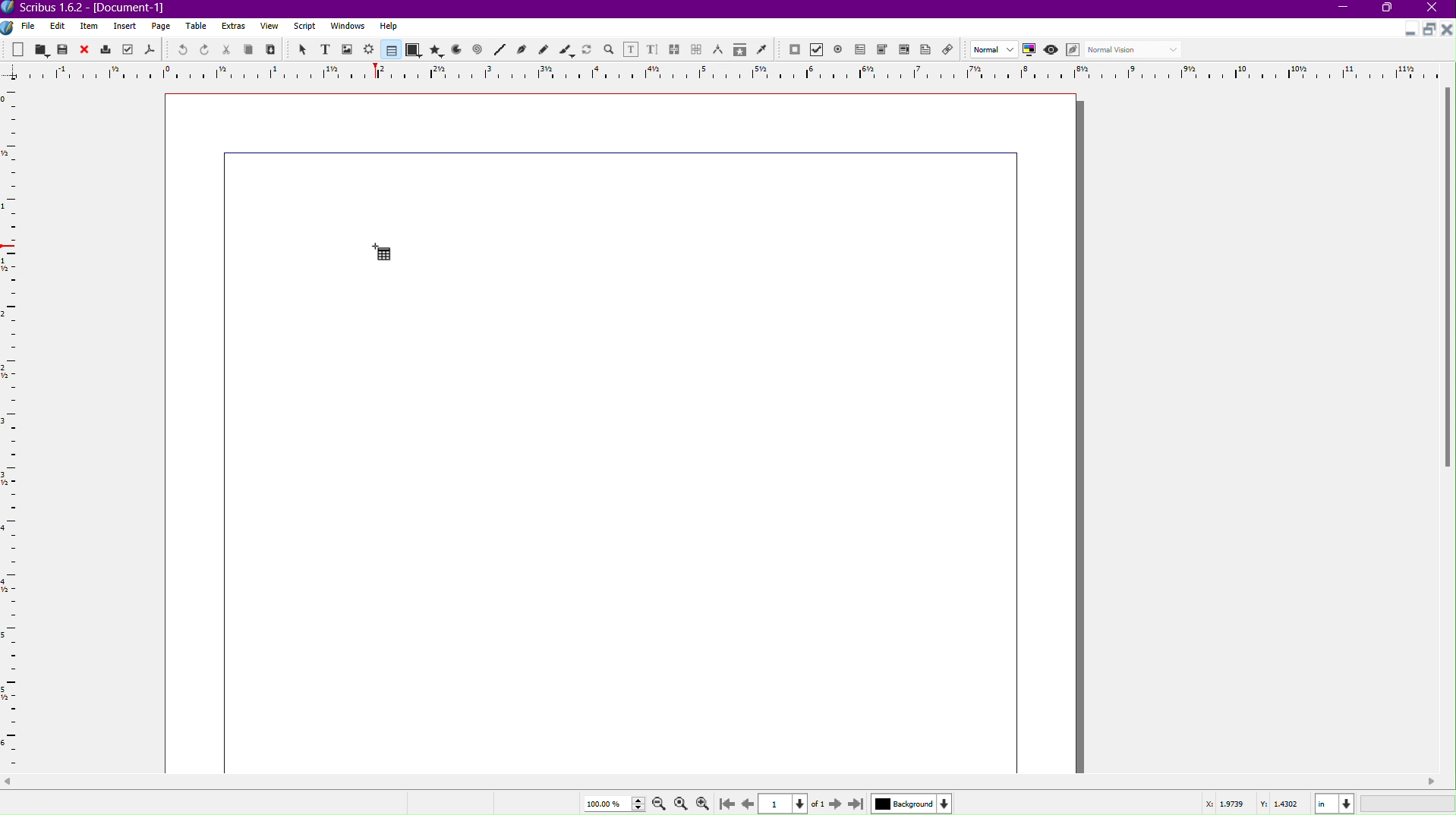 This screenshot has height=815, width=1456. I want to click on Select Item, so click(301, 49).